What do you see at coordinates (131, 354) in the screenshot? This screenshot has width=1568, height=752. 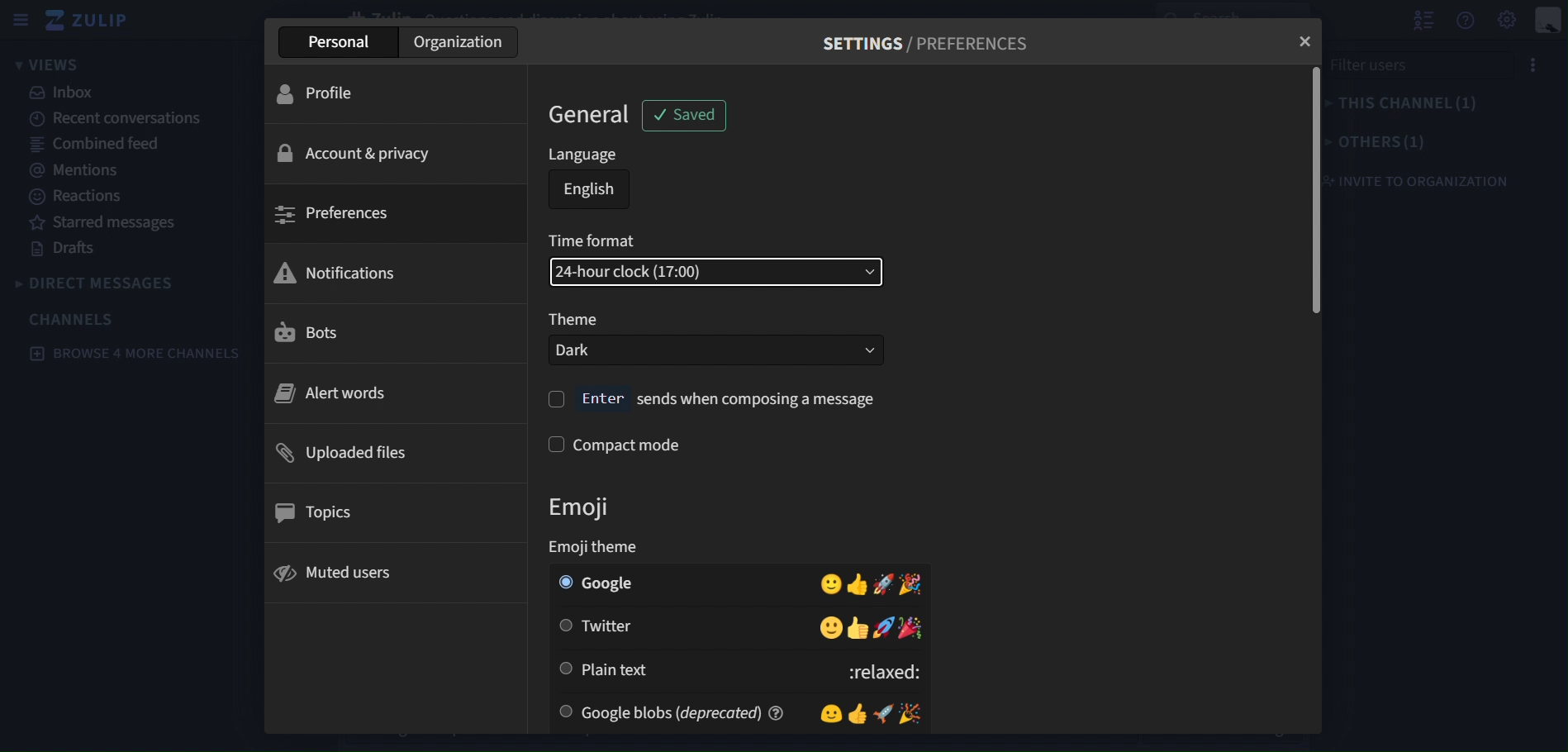 I see `browse 4 more channels` at bounding box center [131, 354].